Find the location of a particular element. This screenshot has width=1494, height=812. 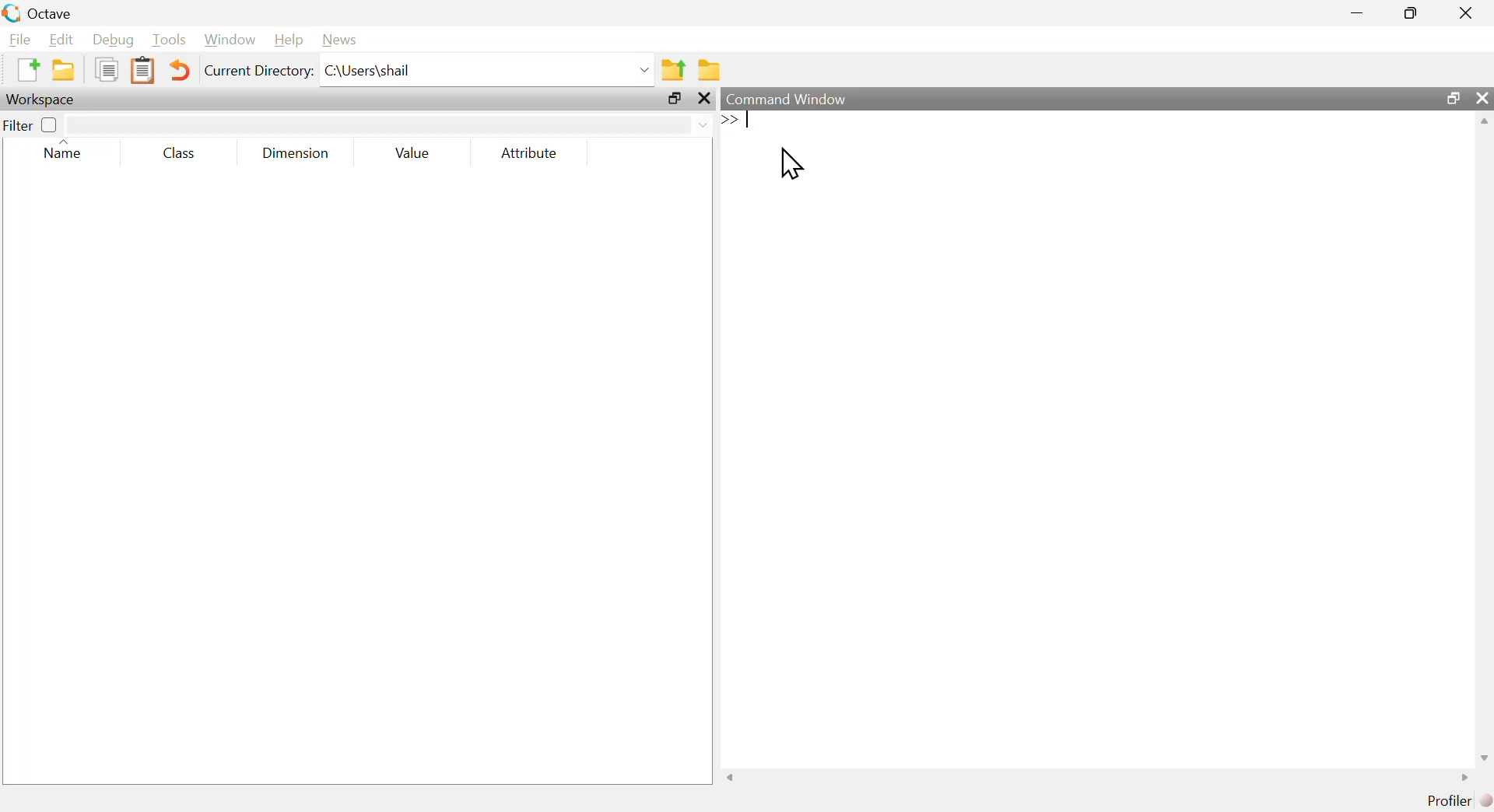

close is located at coordinates (1468, 11).